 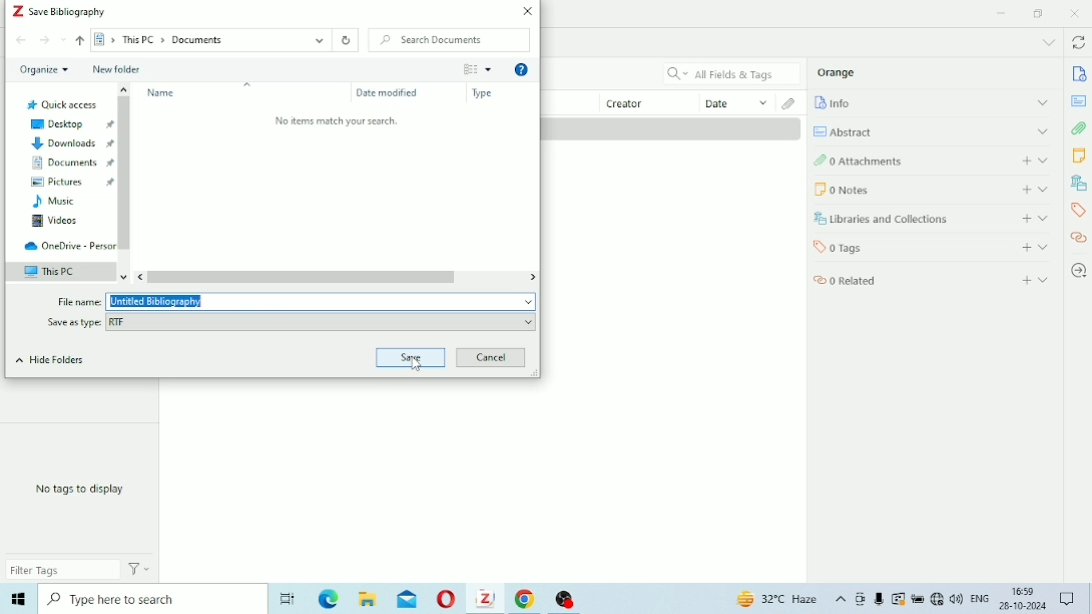 What do you see at coordinates (45, 40) in the screenshot?
I see `Forward` at bounding box center [45, 40].